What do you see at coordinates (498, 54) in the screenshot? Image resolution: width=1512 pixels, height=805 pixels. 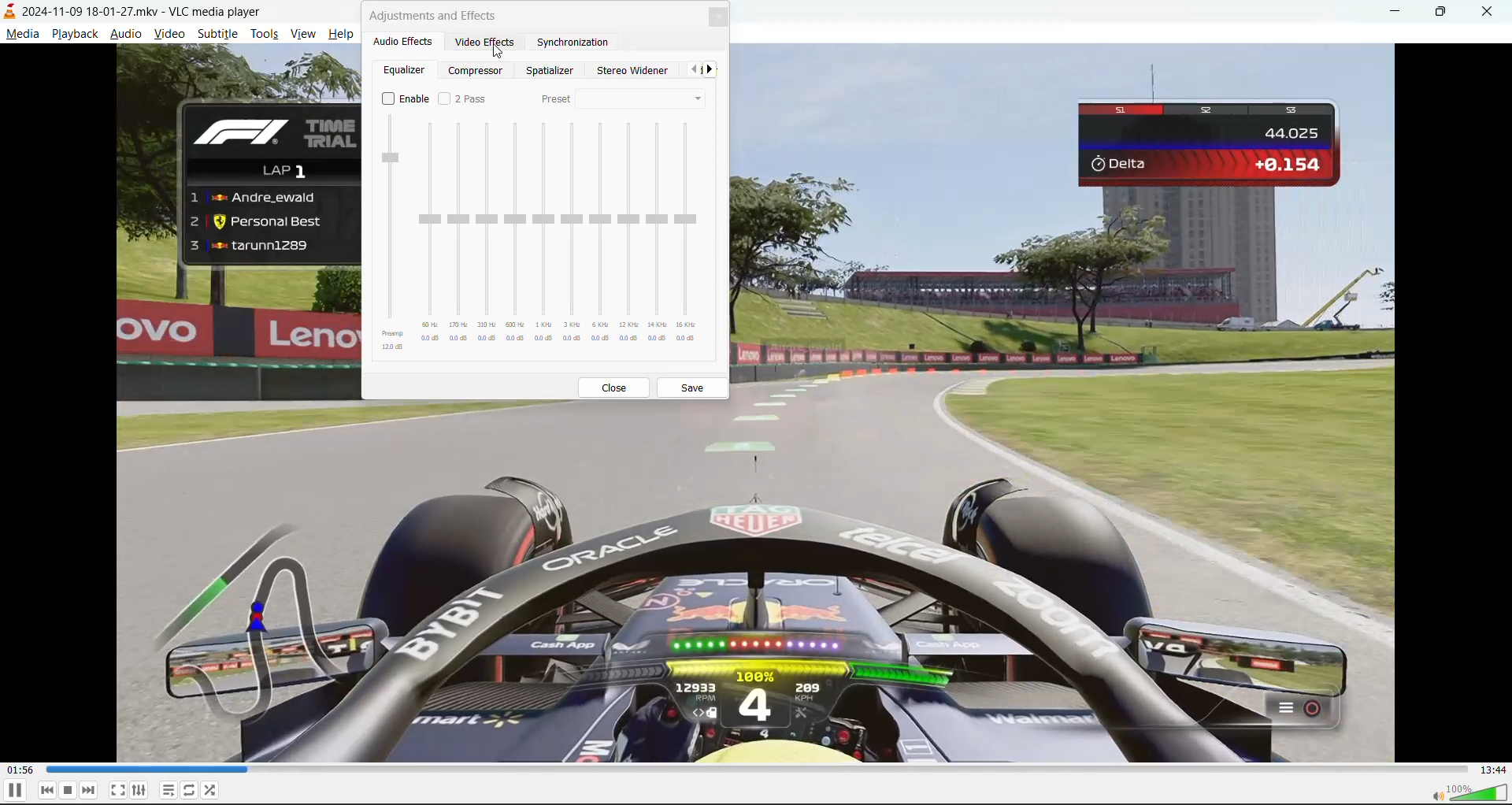 I see `Cursor` at bounding box center [498, 54].